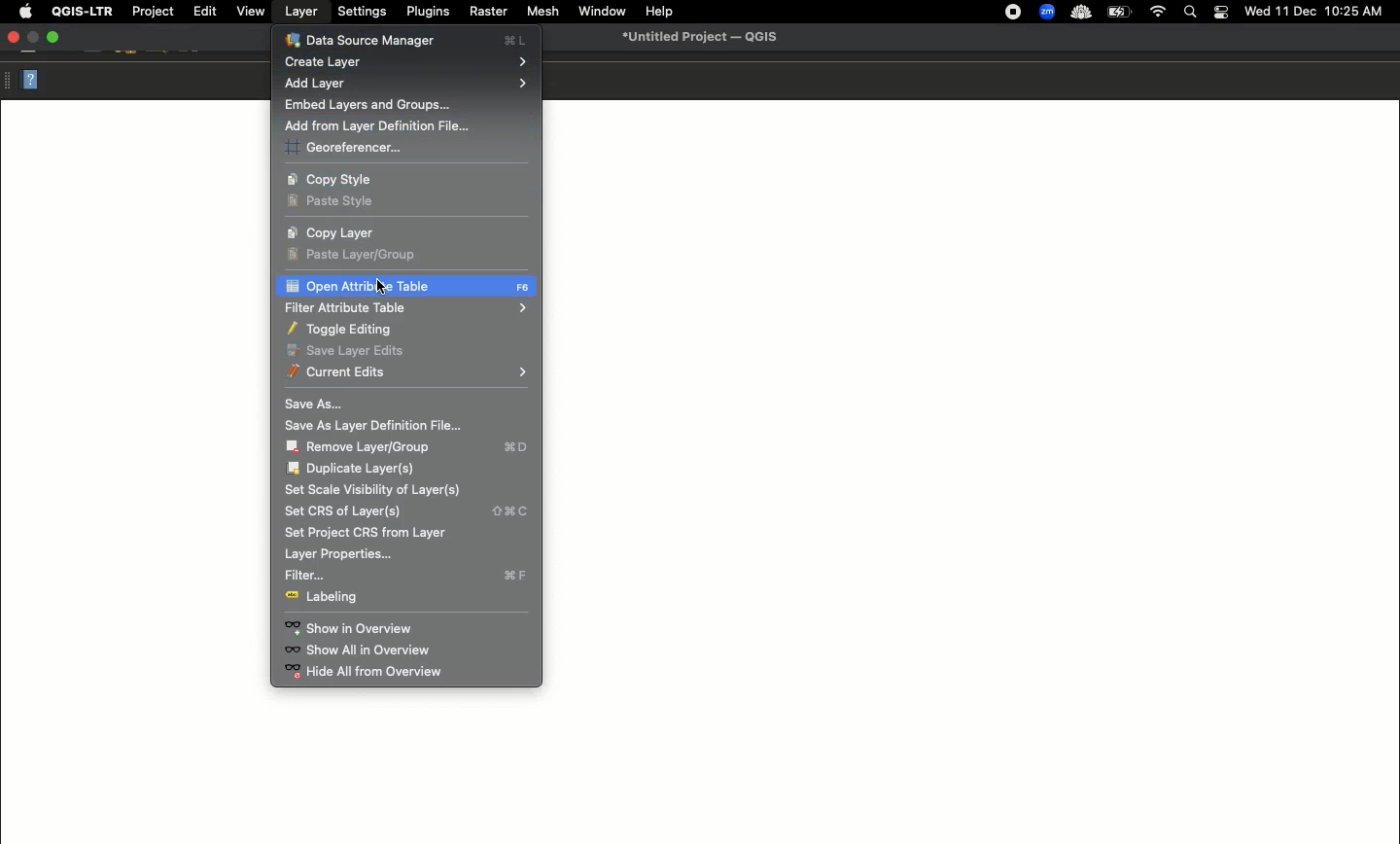 The height and width of the screenshot is (844, 1400). What do you see at coordinates (345, 350) in the screenshot?
I see `Save layer edits` at bounding box center [345, 350].